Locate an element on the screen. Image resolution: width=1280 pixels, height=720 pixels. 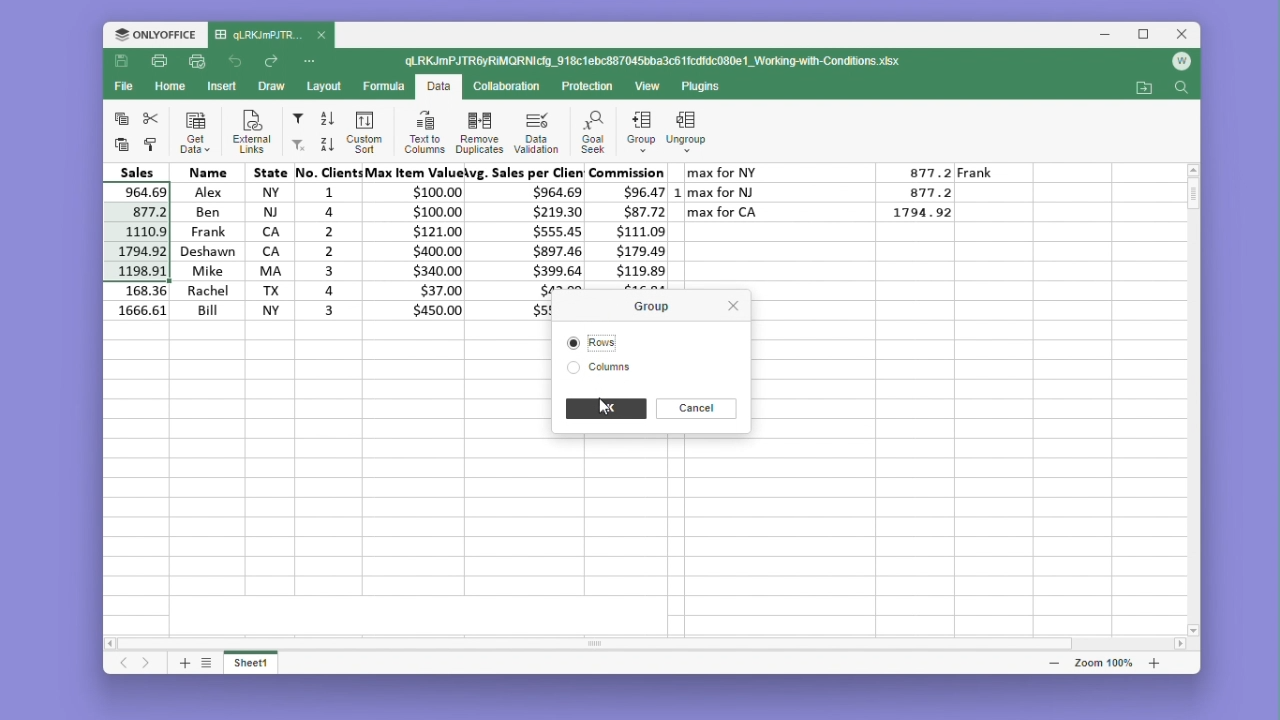
remaining cells from the column is located at coordinates (140, 303).